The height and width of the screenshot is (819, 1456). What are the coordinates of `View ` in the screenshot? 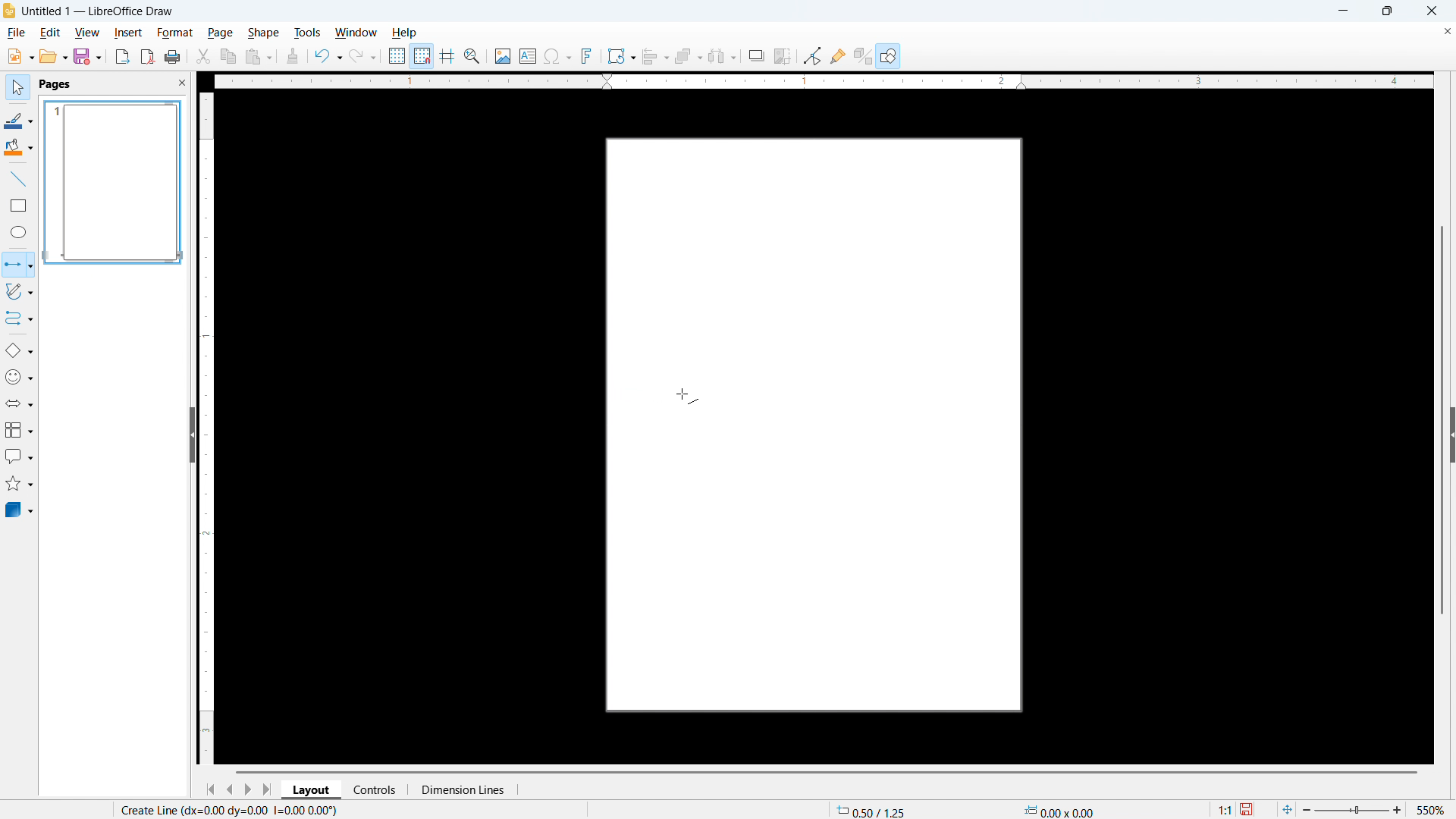 It's located at (88, 33).